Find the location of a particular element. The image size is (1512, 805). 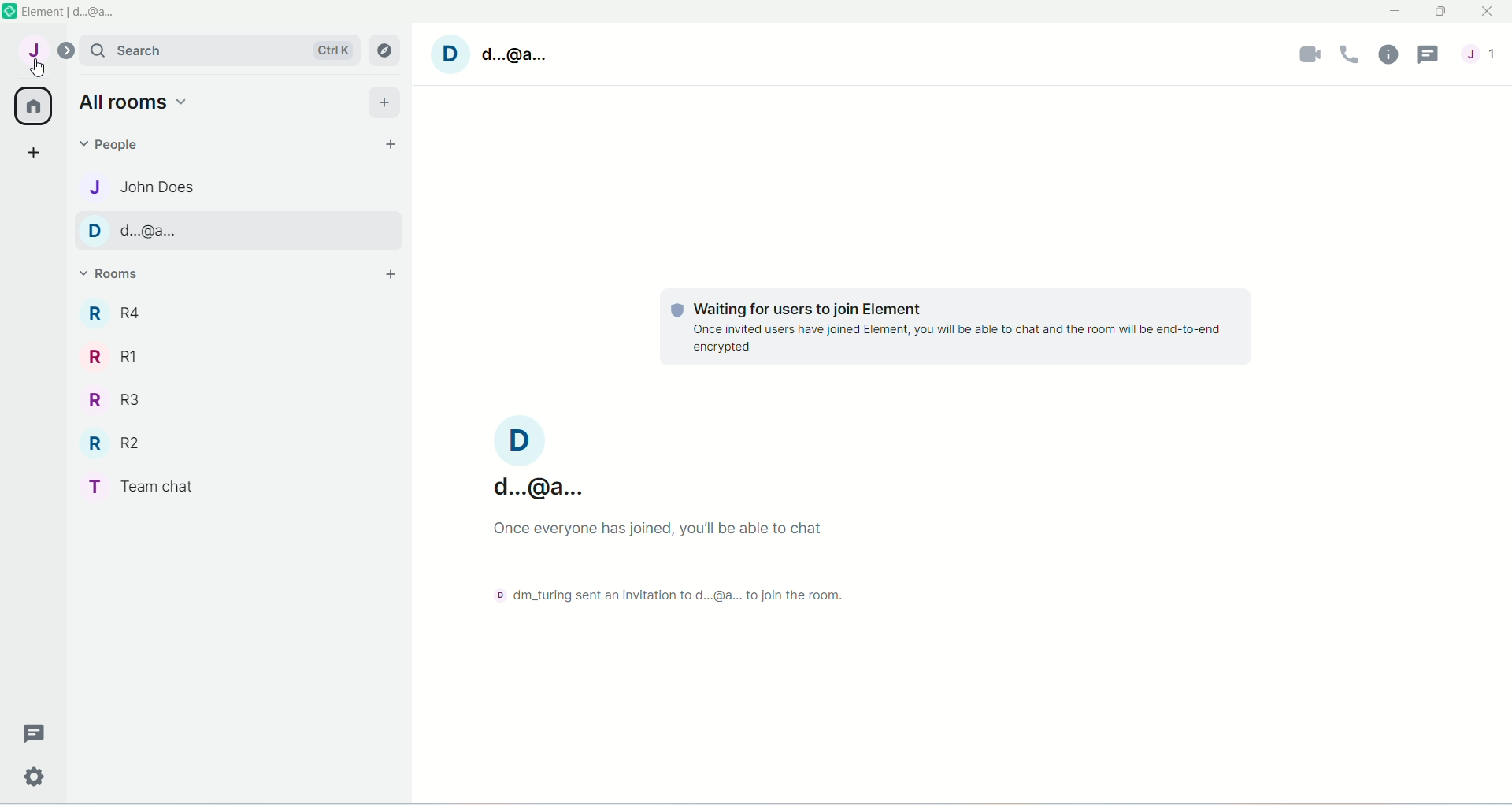

Start chat is located at coordinates (388, 143).